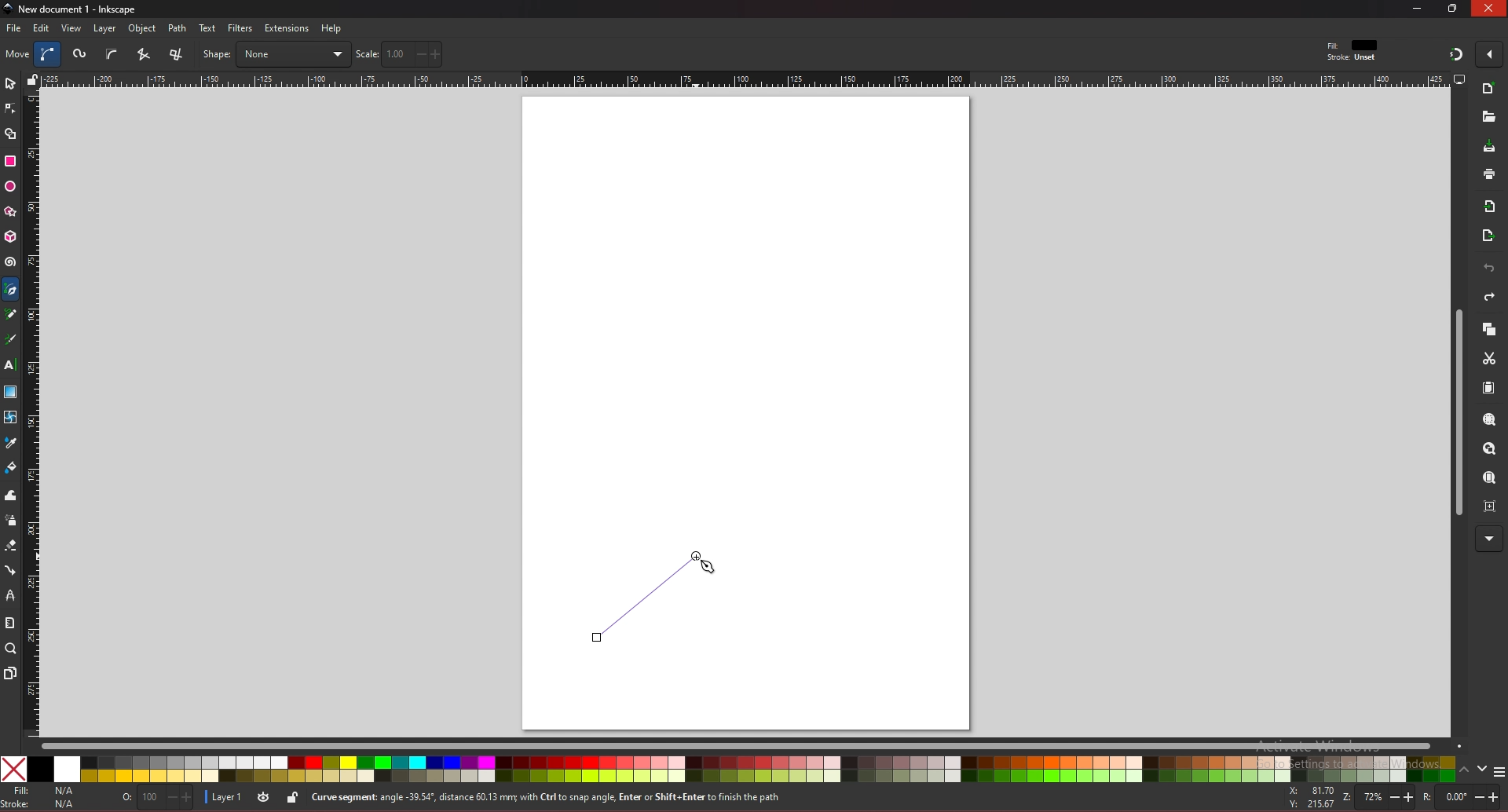 Image resolution: width=1508 pixels, height=812 pixels. What do you see at coordinates (11, 212) in the screenshot?
I see `stars and polygons` at bounding box center [11, 212].